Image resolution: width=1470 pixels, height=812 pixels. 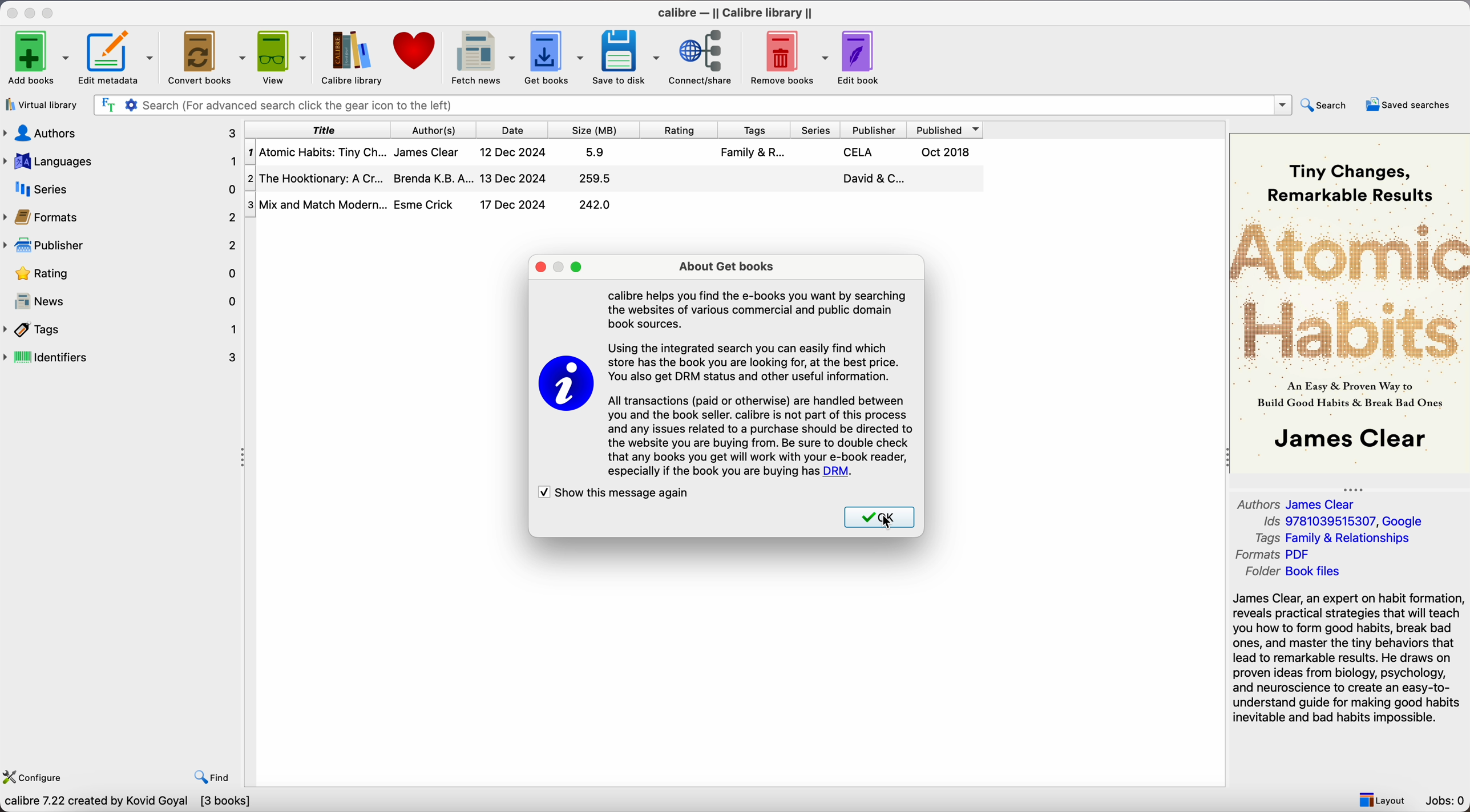 I want to click on title, so click(x=324, y=130).